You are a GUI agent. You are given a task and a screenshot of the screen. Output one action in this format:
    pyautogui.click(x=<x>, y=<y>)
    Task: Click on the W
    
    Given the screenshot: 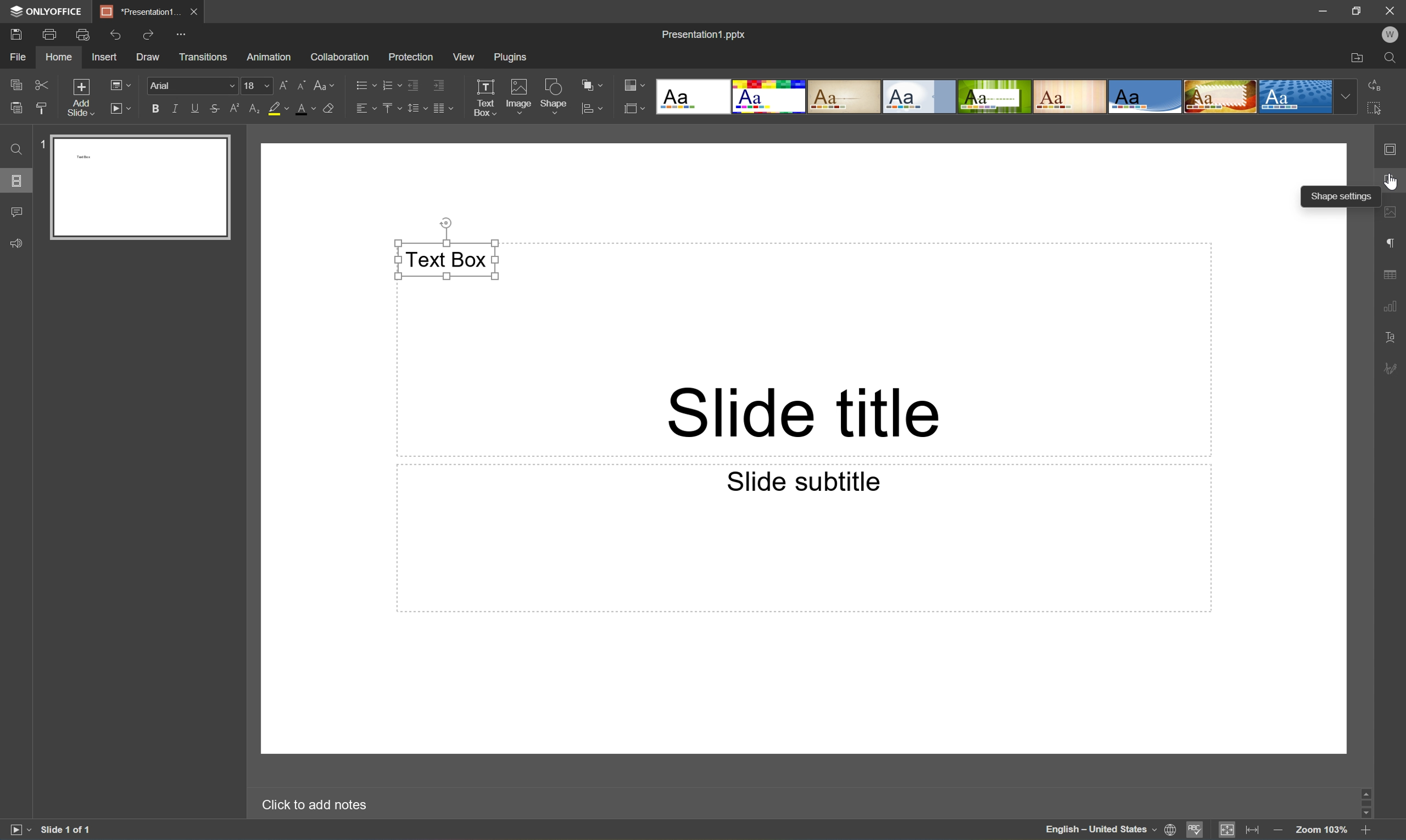 What is the action you would take?
    pyautogui.click(x=1393, y=36)
    